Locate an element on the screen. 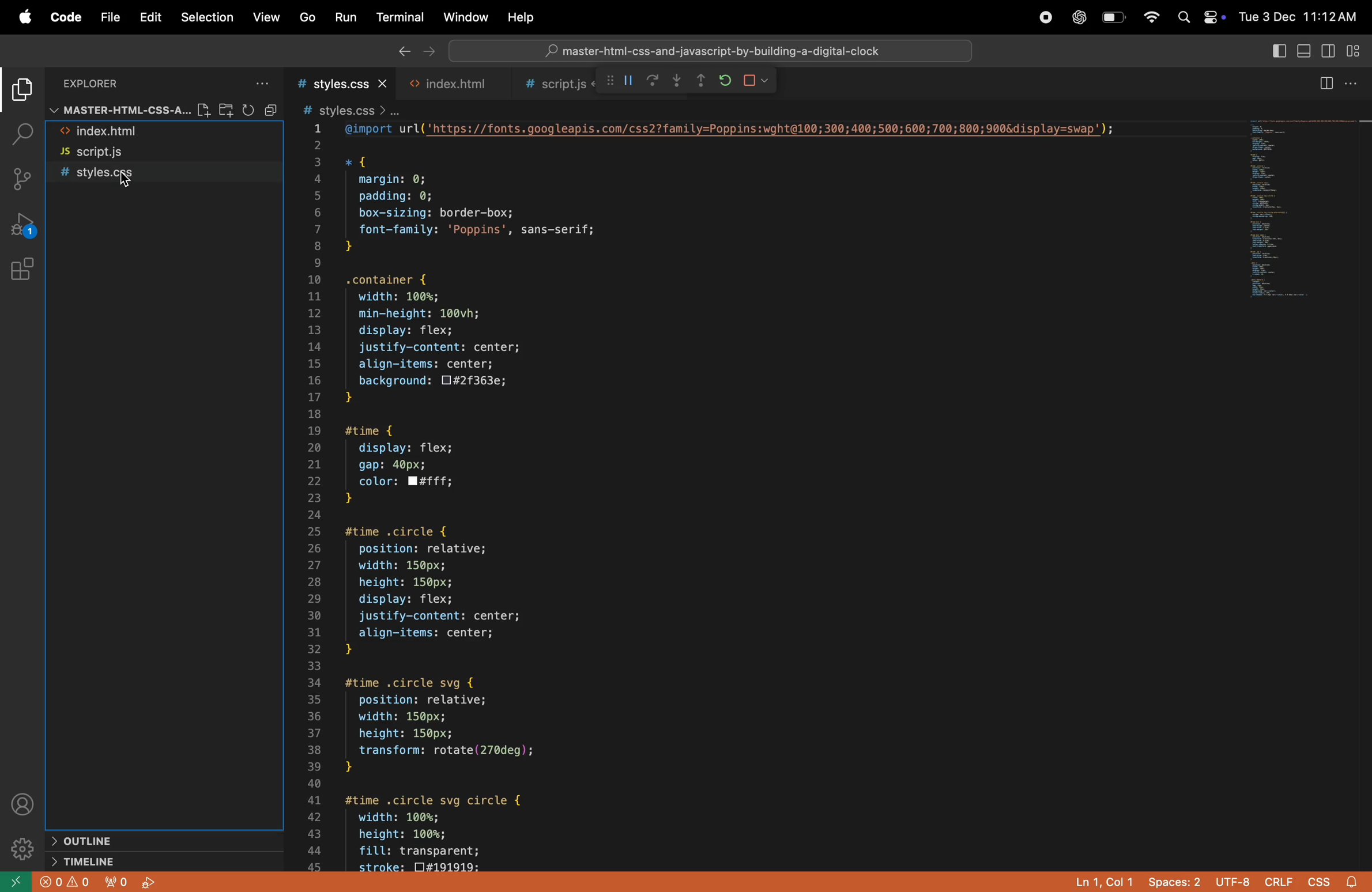  stop is located at coordinates (758, 80).